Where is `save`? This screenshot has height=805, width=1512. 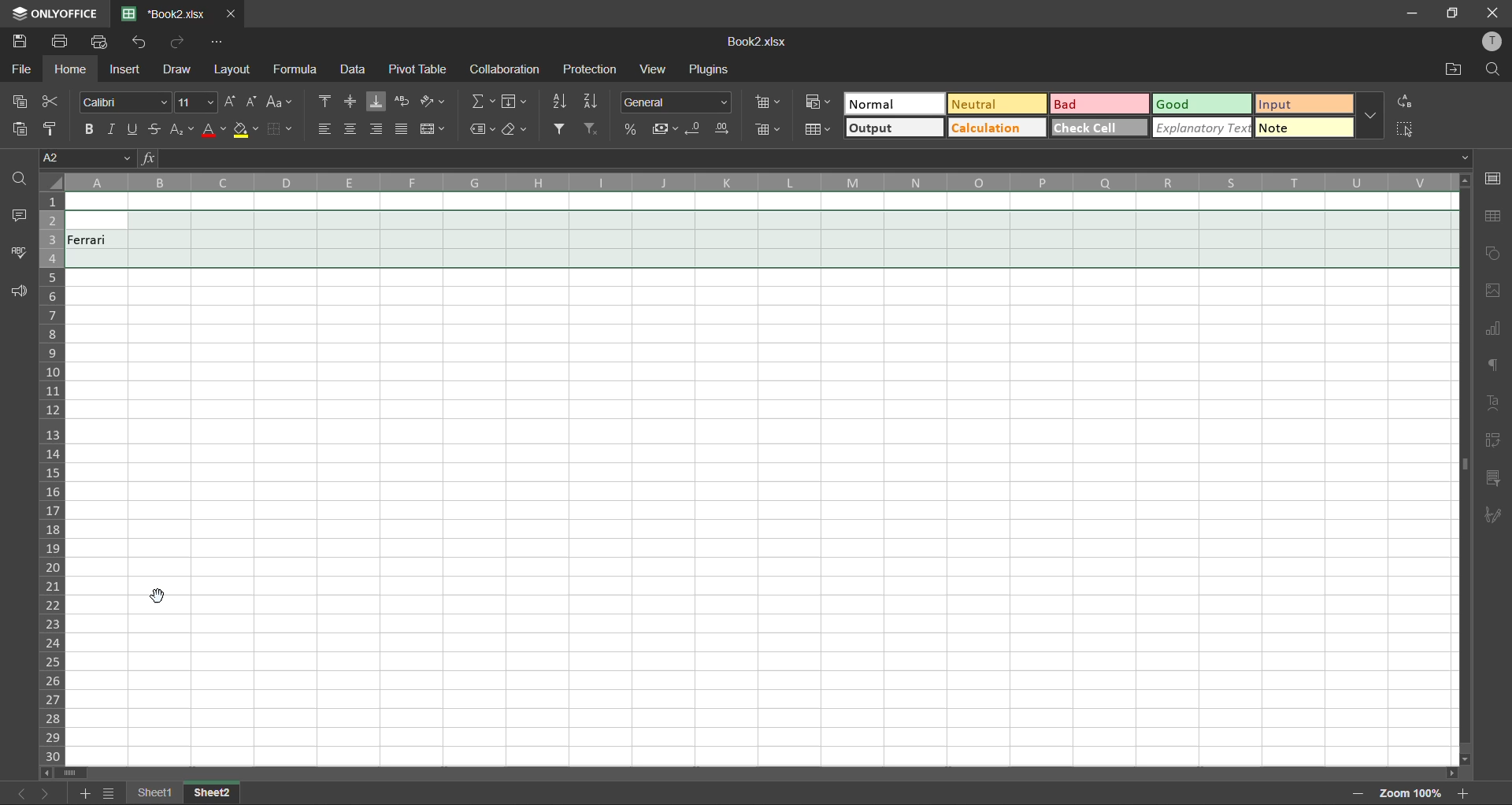 save is located at coordinates (21, 39).